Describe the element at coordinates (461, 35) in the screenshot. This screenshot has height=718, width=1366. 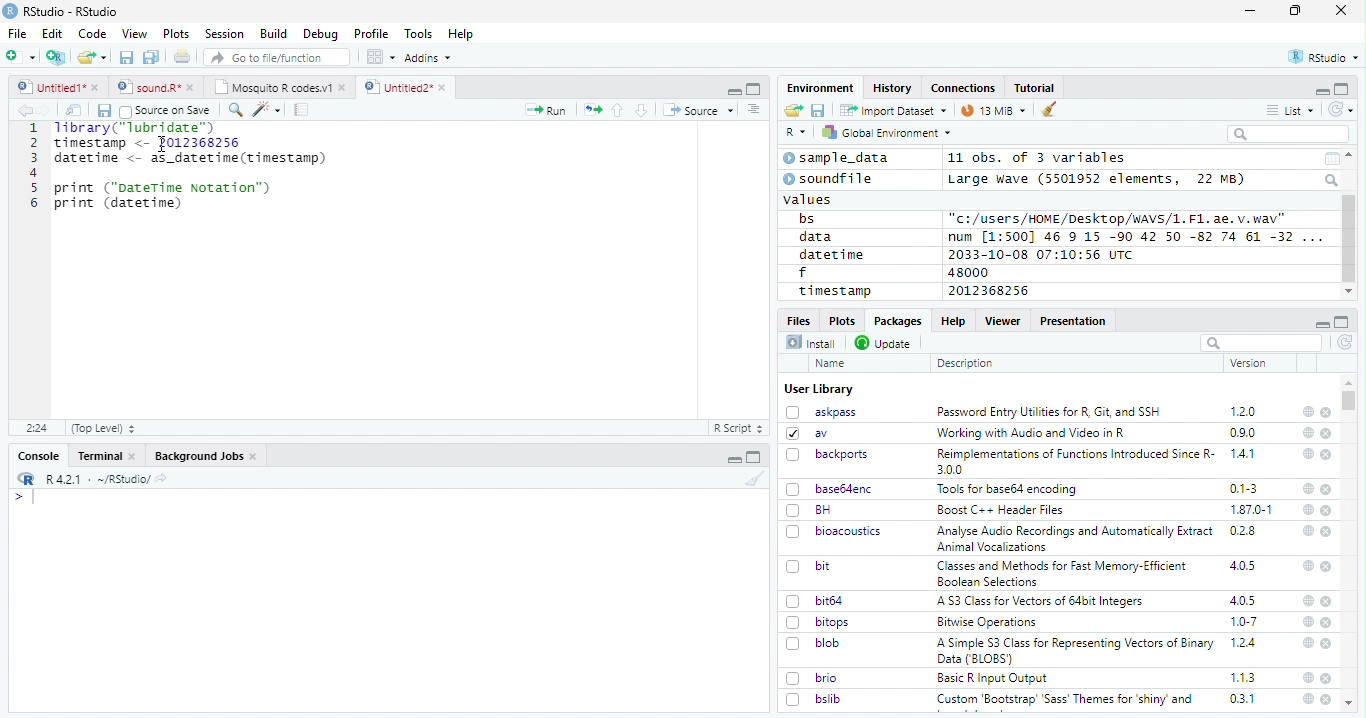
I see `Help` at that location.